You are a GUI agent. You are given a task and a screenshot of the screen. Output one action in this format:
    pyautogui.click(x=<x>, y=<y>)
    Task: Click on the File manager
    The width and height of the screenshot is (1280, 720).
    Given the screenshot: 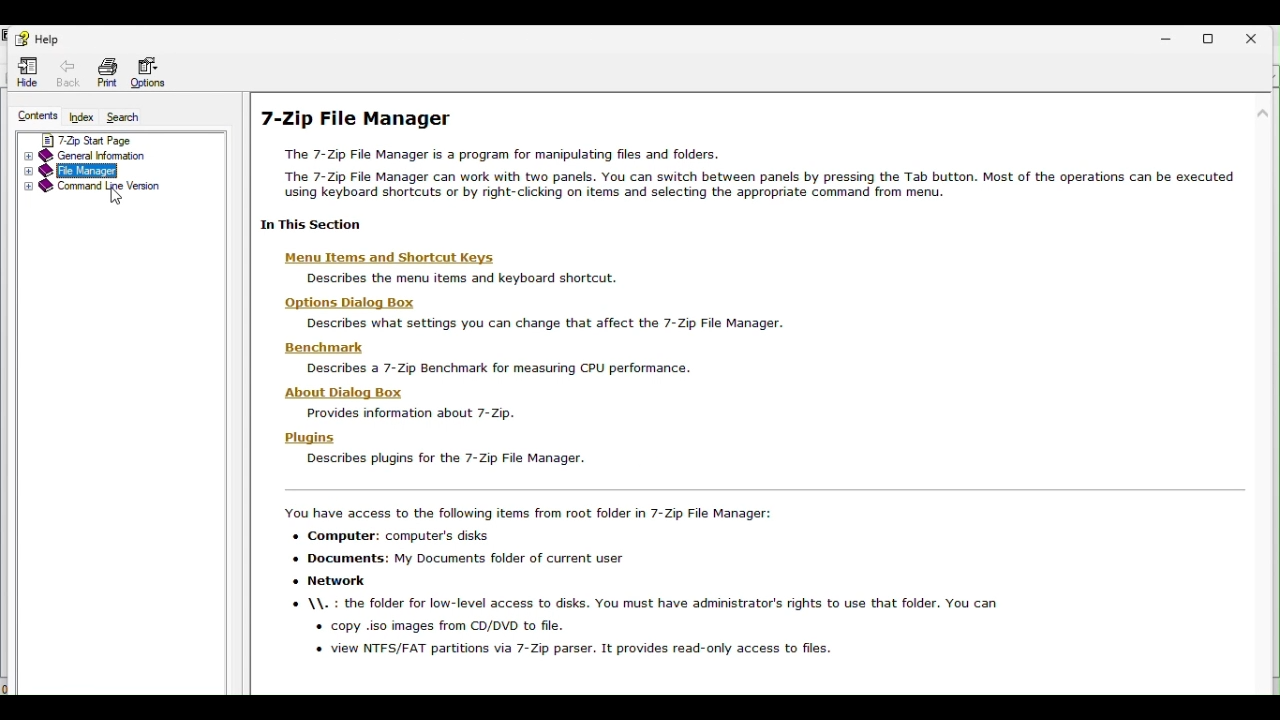 What is the action you would take?
    pyautogui.click(x=118, y=171)
    